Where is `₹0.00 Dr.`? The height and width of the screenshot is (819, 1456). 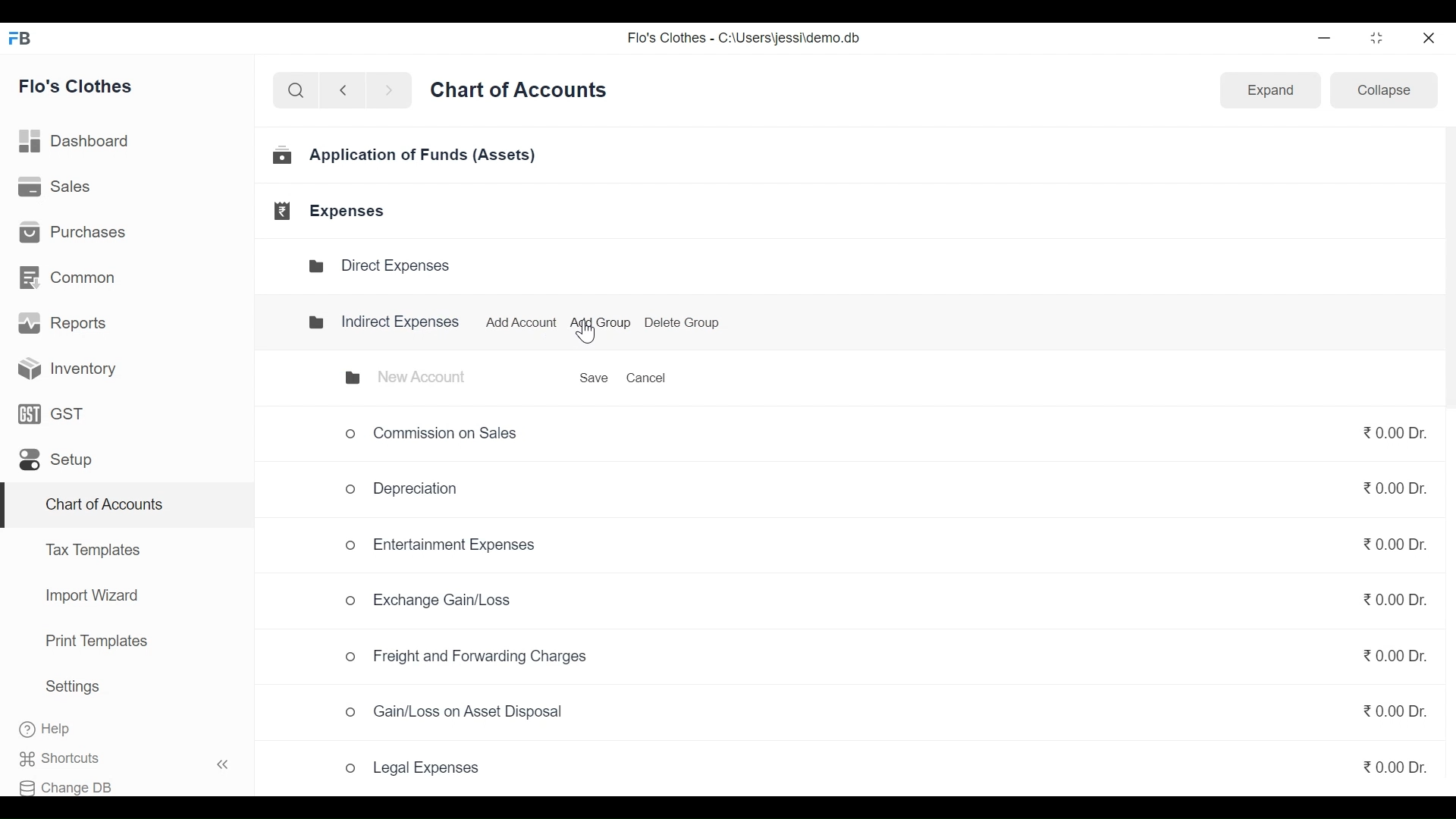
₹0.00 Dr. is located at coordinates (1394, 490).